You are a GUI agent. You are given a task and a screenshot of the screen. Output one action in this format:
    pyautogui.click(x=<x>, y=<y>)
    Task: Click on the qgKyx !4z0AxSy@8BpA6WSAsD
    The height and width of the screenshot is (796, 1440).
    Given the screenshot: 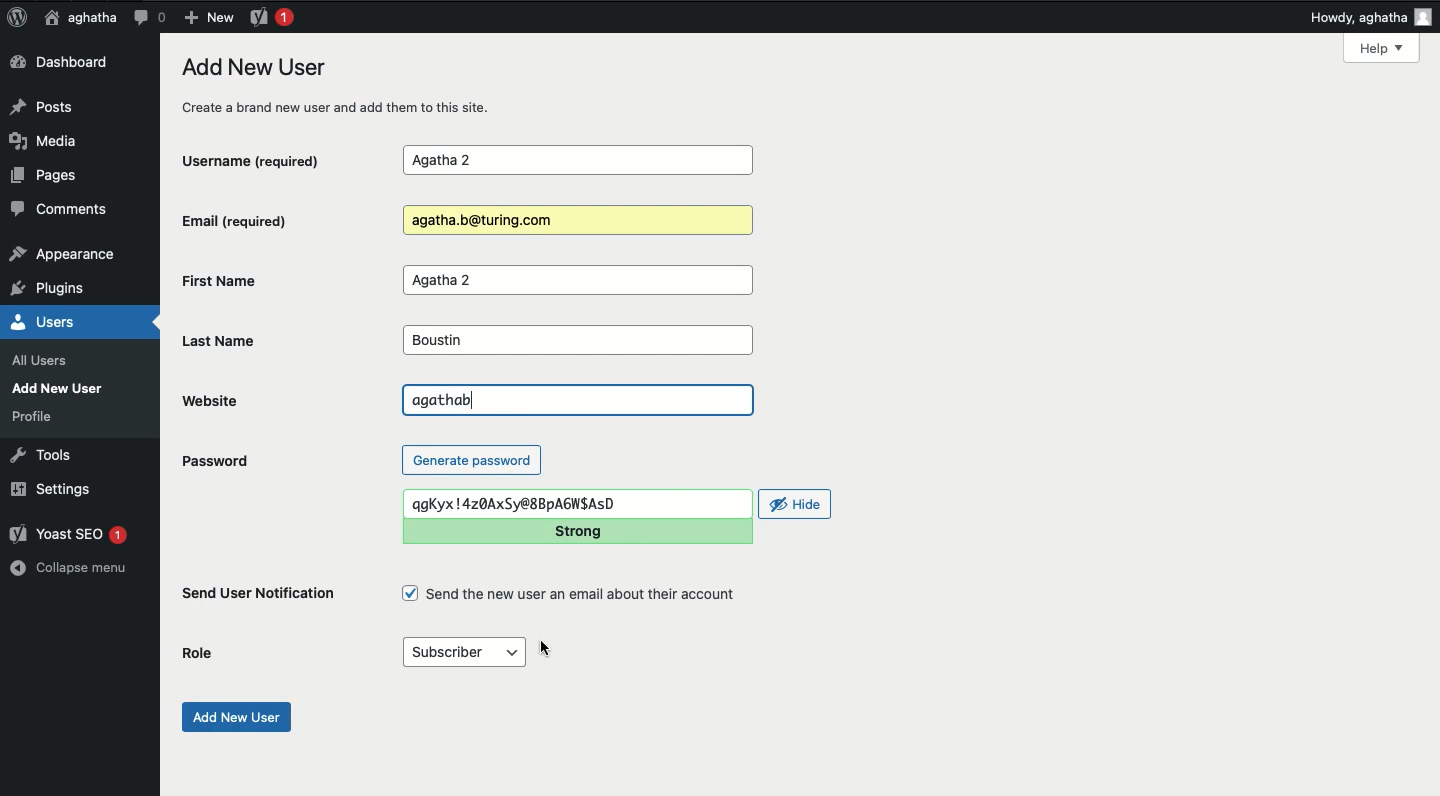 What is the action you would take?
    pyautogui.click(x=578, y=502)
    